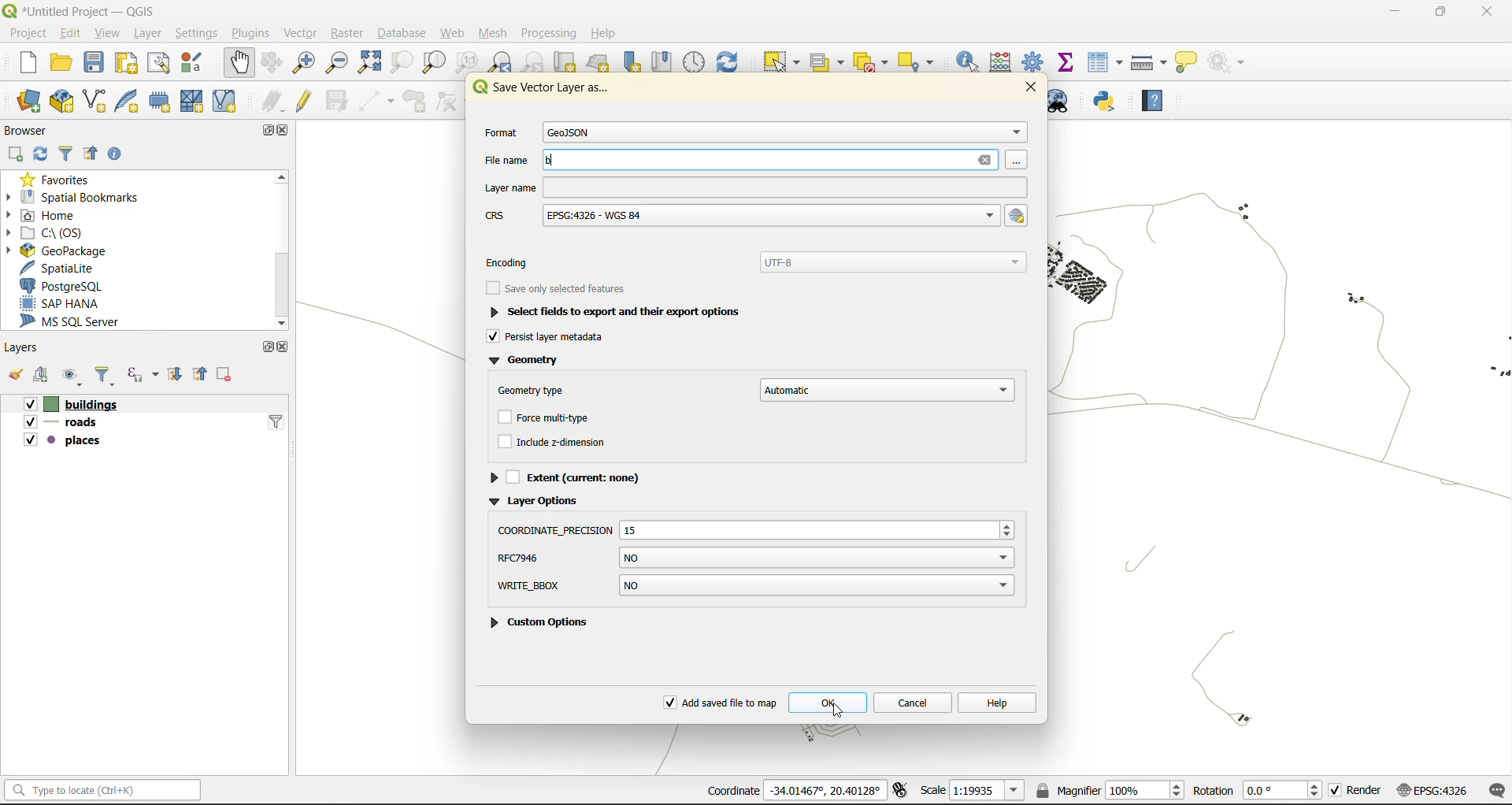  I want to click on zoom last, so click(502, 61).